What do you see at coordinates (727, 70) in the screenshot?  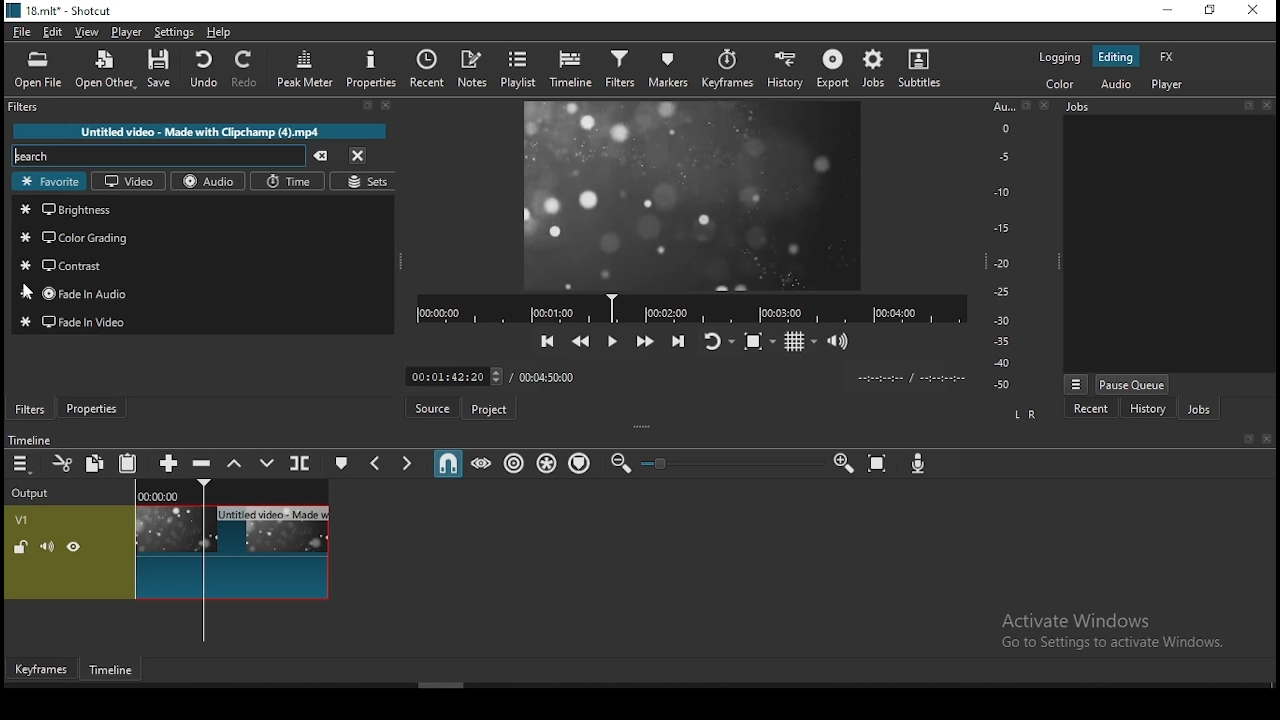 I see `keyframes` at bounding box center [727, 70].